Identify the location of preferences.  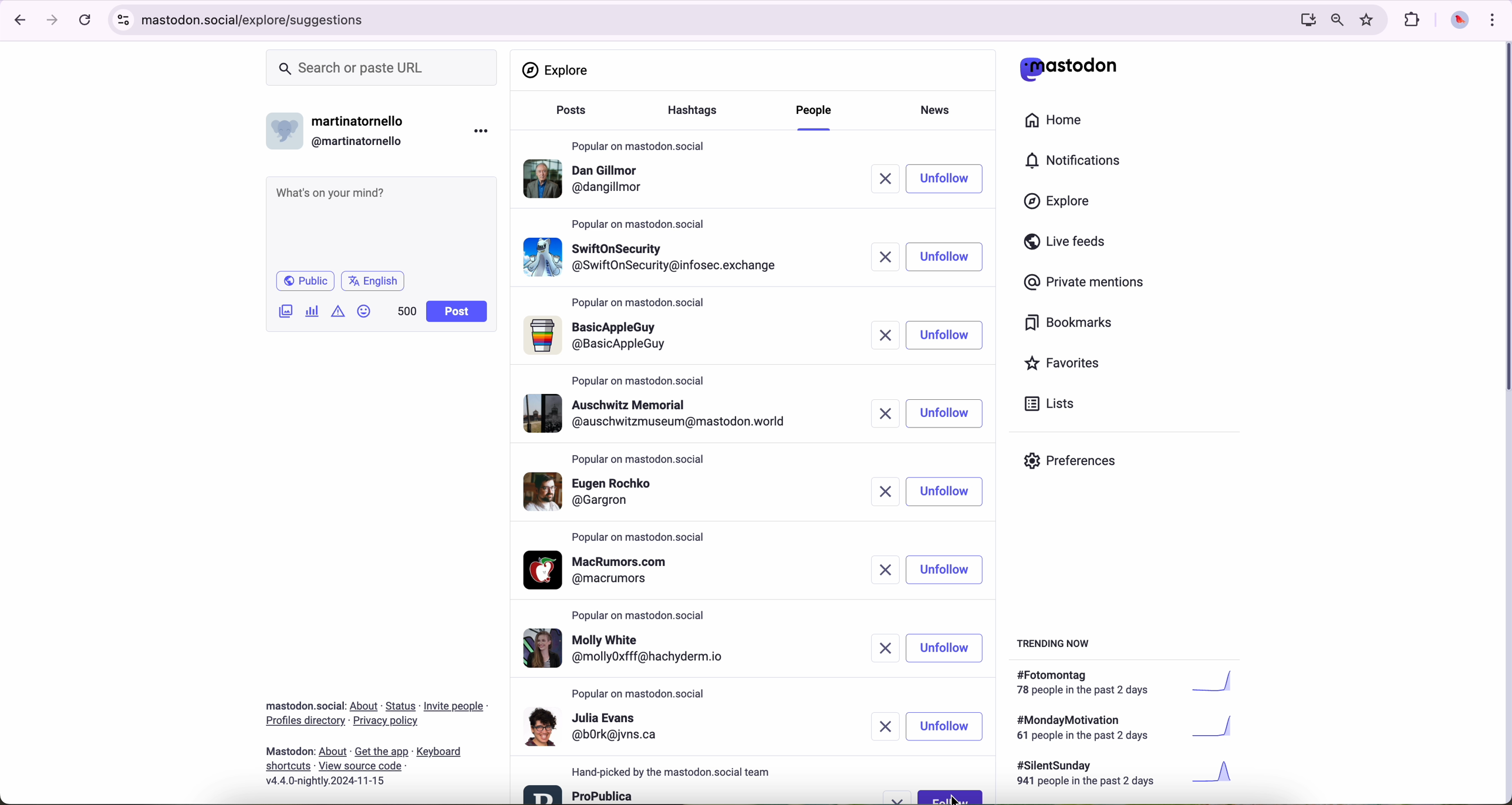
(1079, 465).